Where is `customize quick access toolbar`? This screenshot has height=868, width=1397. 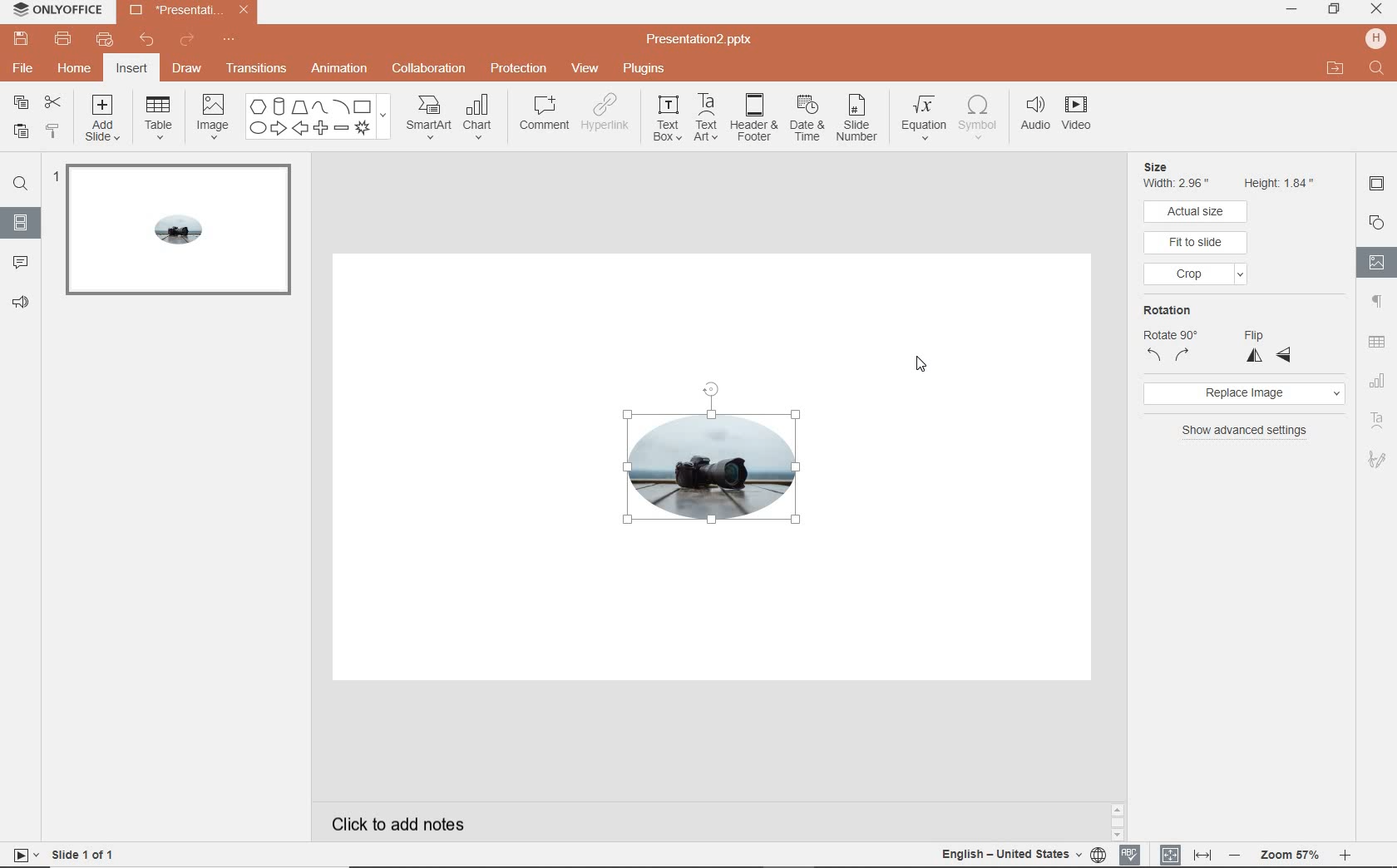
customize quick access toolbar is located at coordinates (239, 42).